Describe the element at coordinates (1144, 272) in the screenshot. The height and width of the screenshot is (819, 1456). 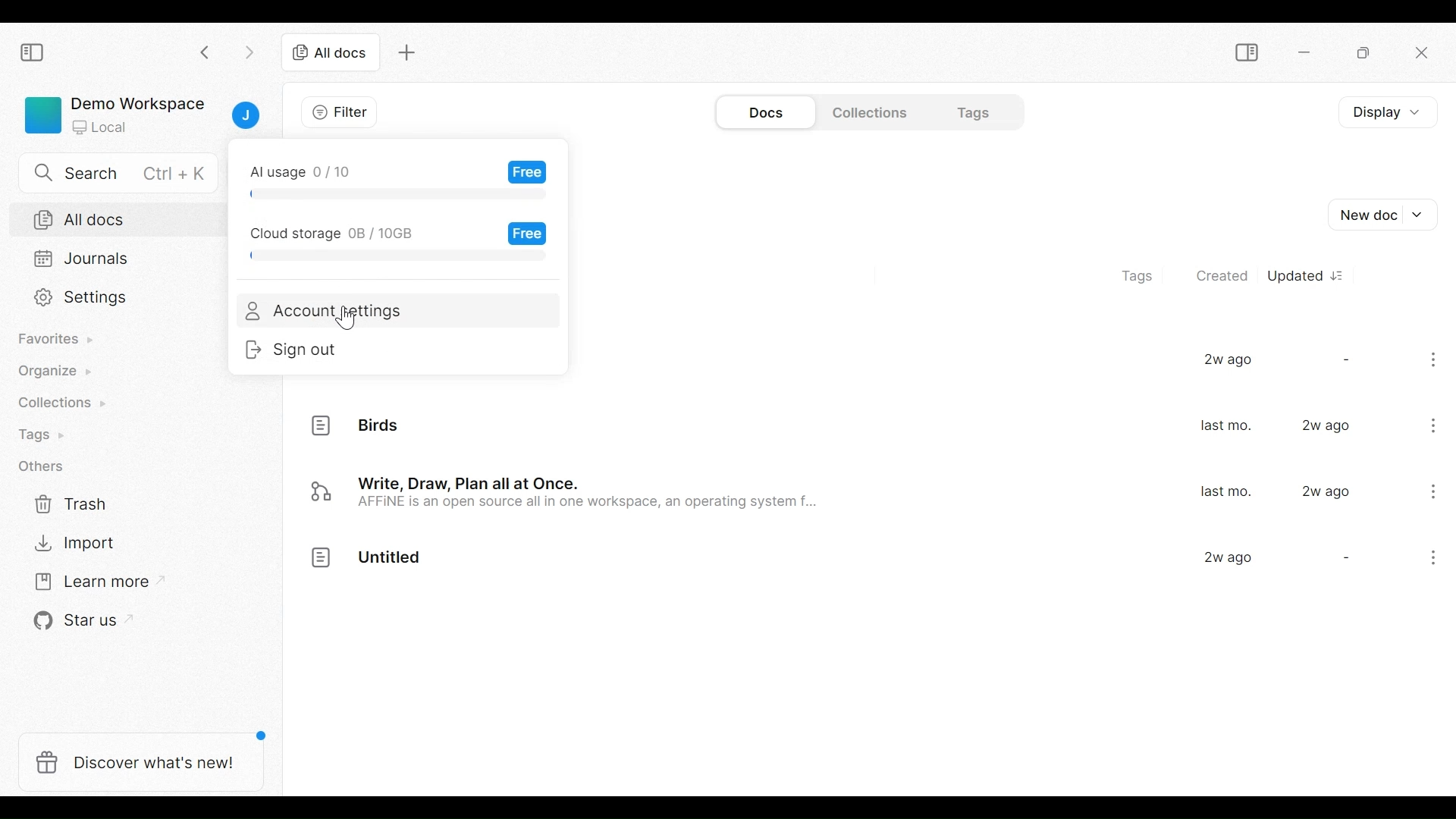
I see `Tags` at that location.